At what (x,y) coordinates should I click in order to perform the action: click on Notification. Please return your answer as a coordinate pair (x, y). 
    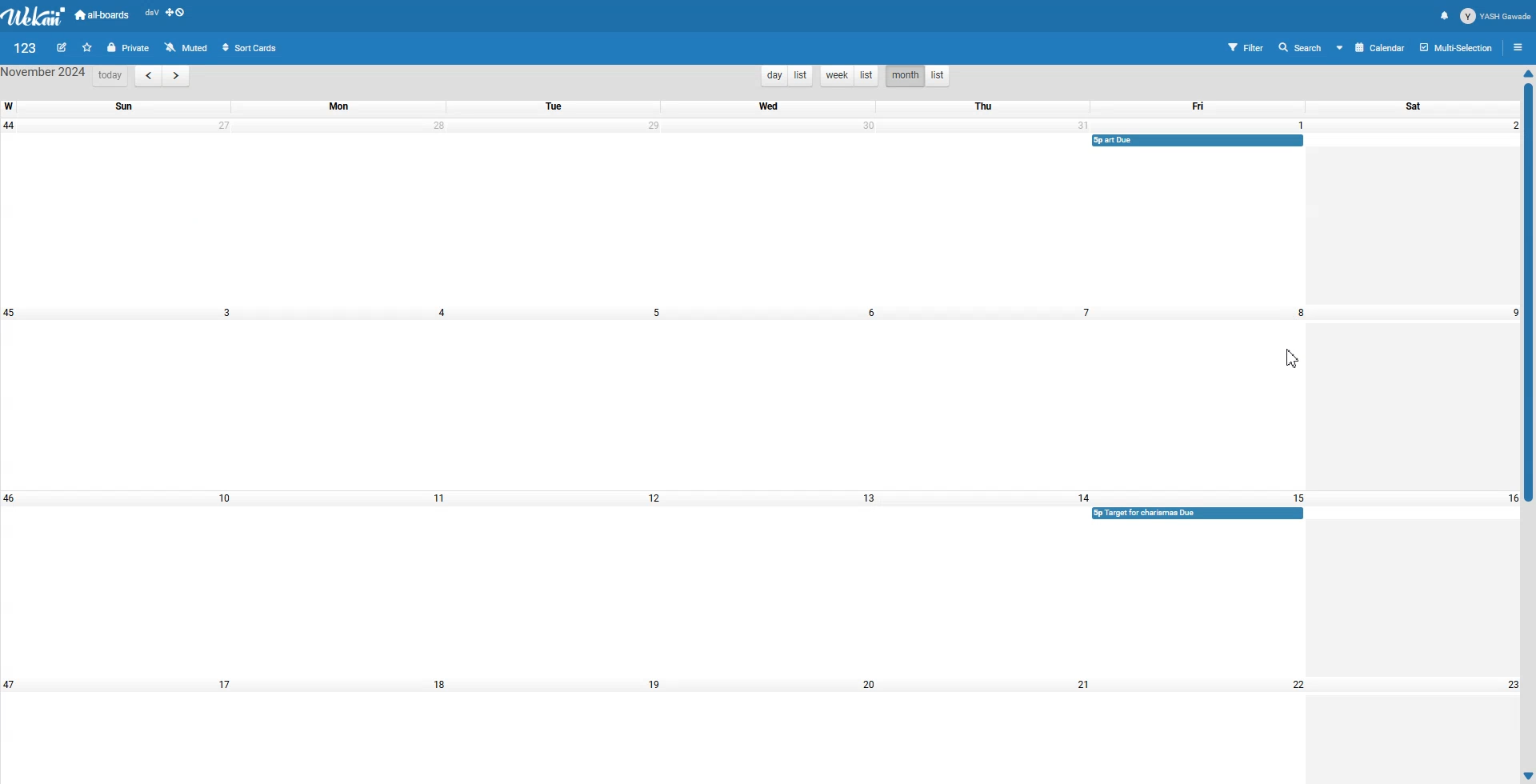
    Looking at the image, I should click on (1445, 16).